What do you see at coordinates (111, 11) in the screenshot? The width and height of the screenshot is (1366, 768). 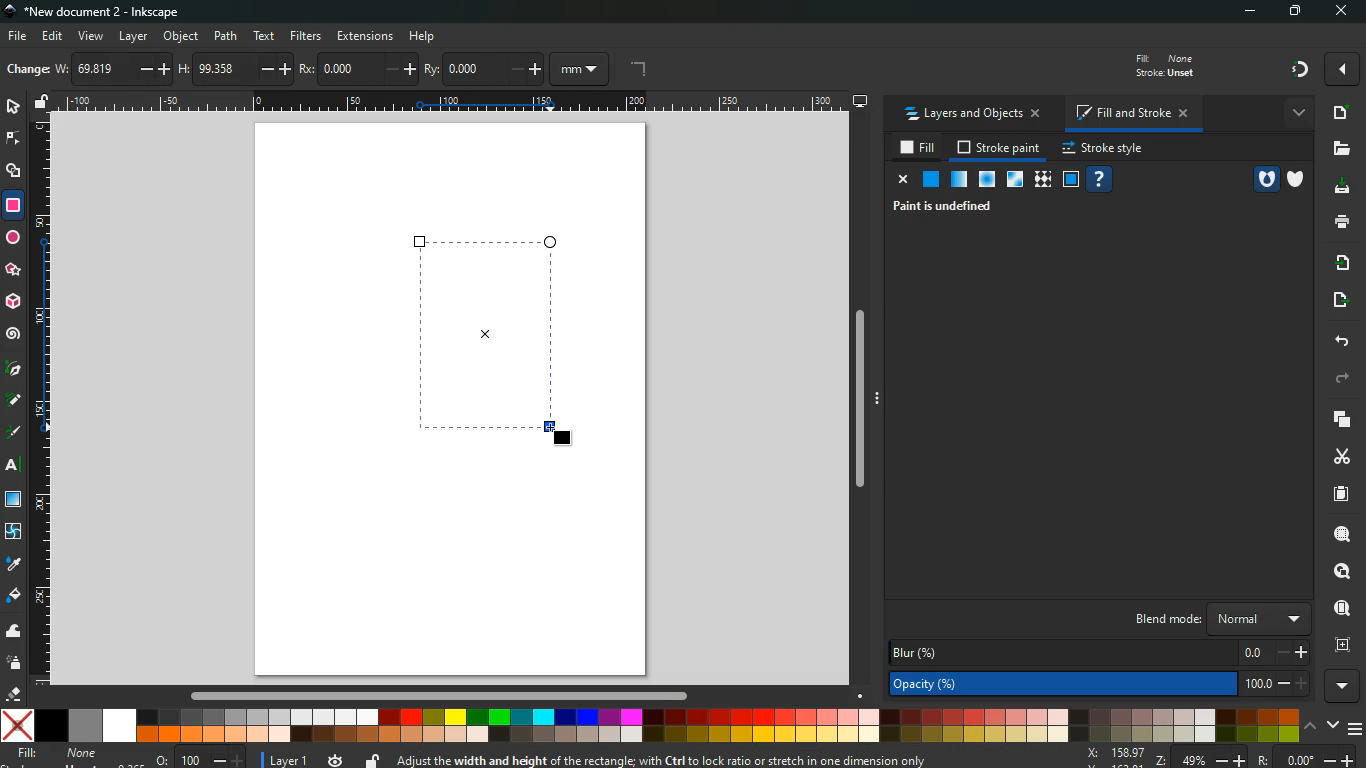 I see `inkscape` at bounding box center [111, 11].